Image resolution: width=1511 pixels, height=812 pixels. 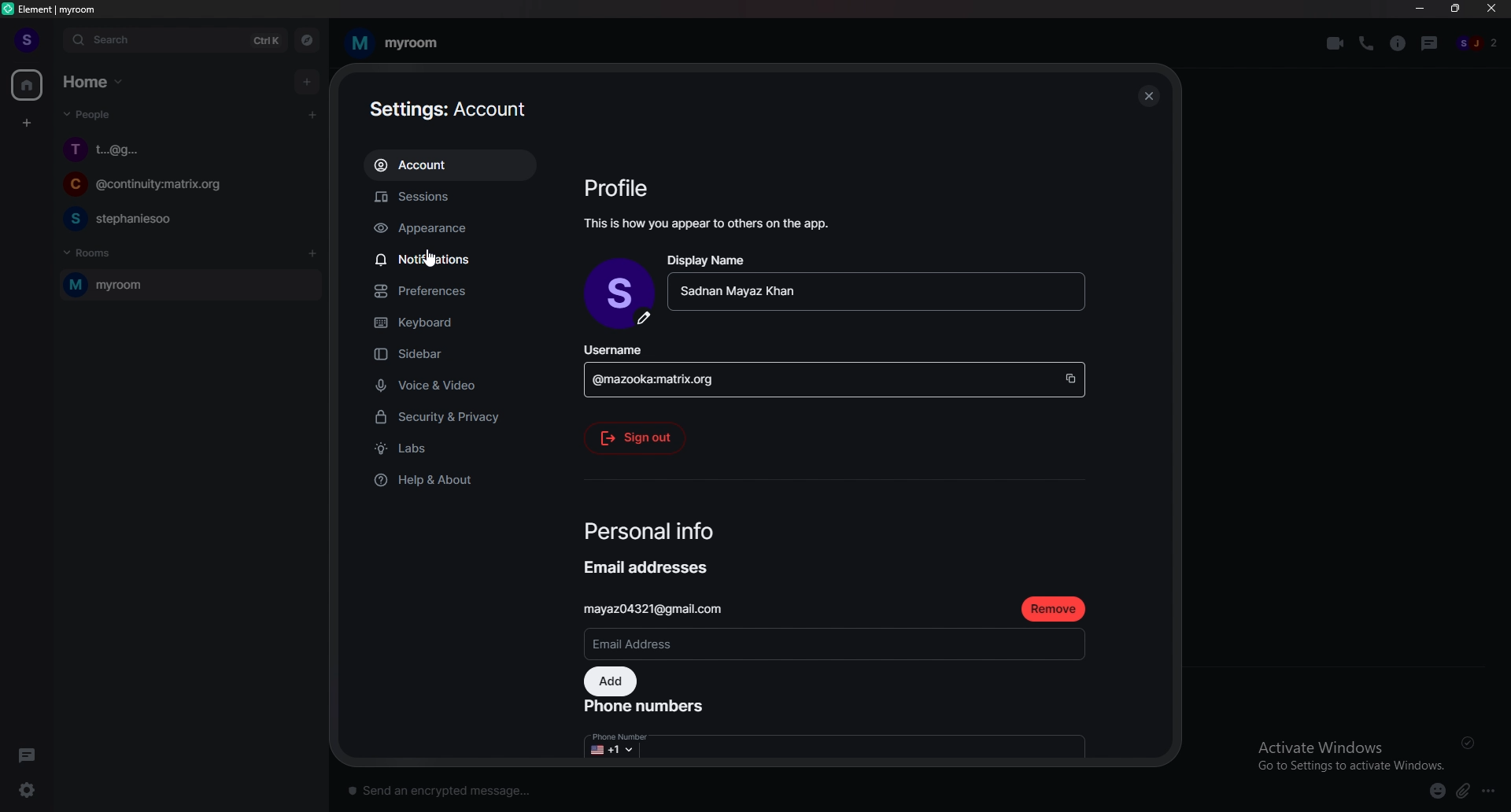 What do you see at coordinates (447, 448) in the screenshot?
I see `labs` at bounding box center [447, 448].